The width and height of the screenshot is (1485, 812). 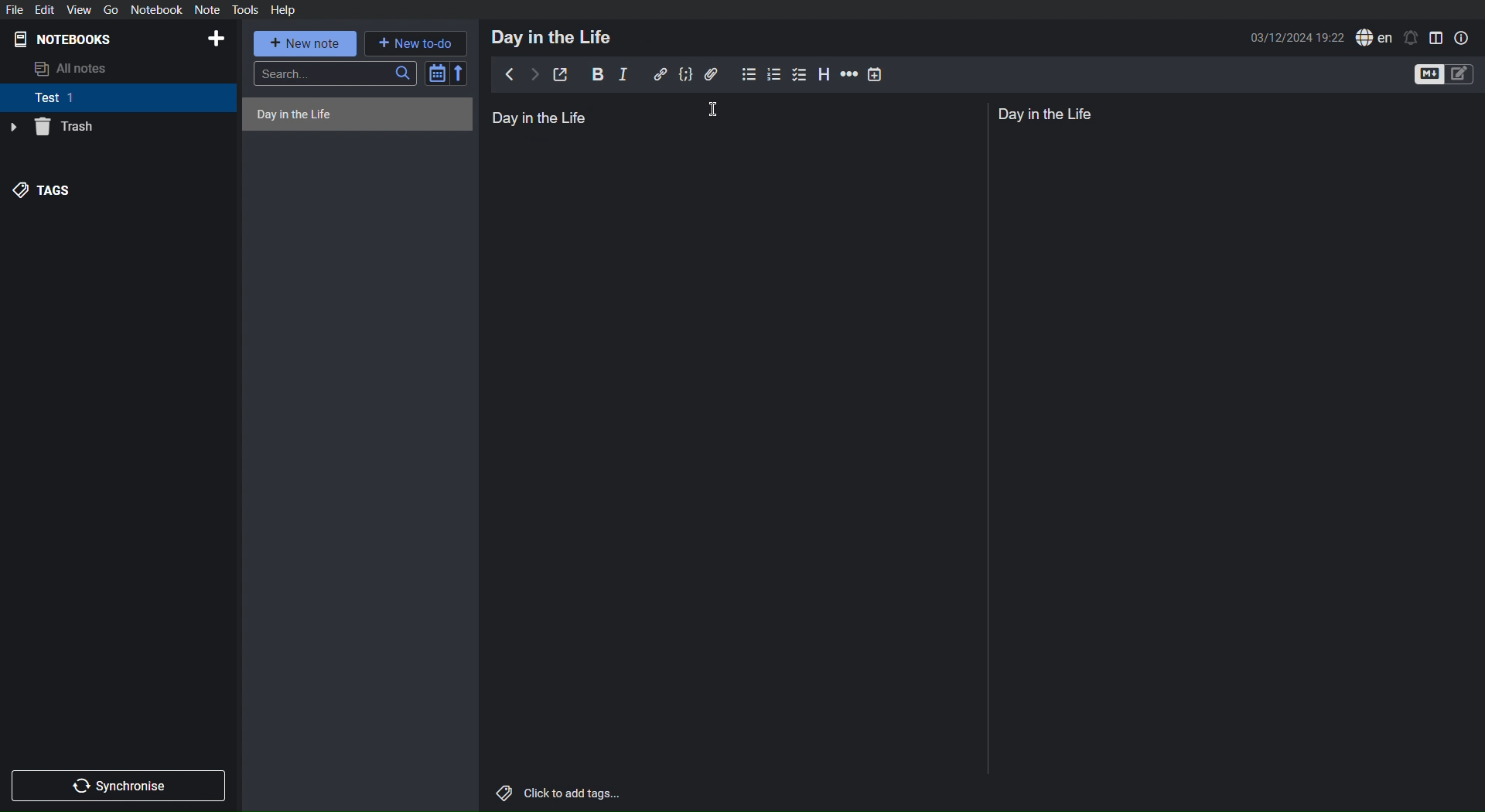 I want to click on Cursor, so click(x=712, y=106).